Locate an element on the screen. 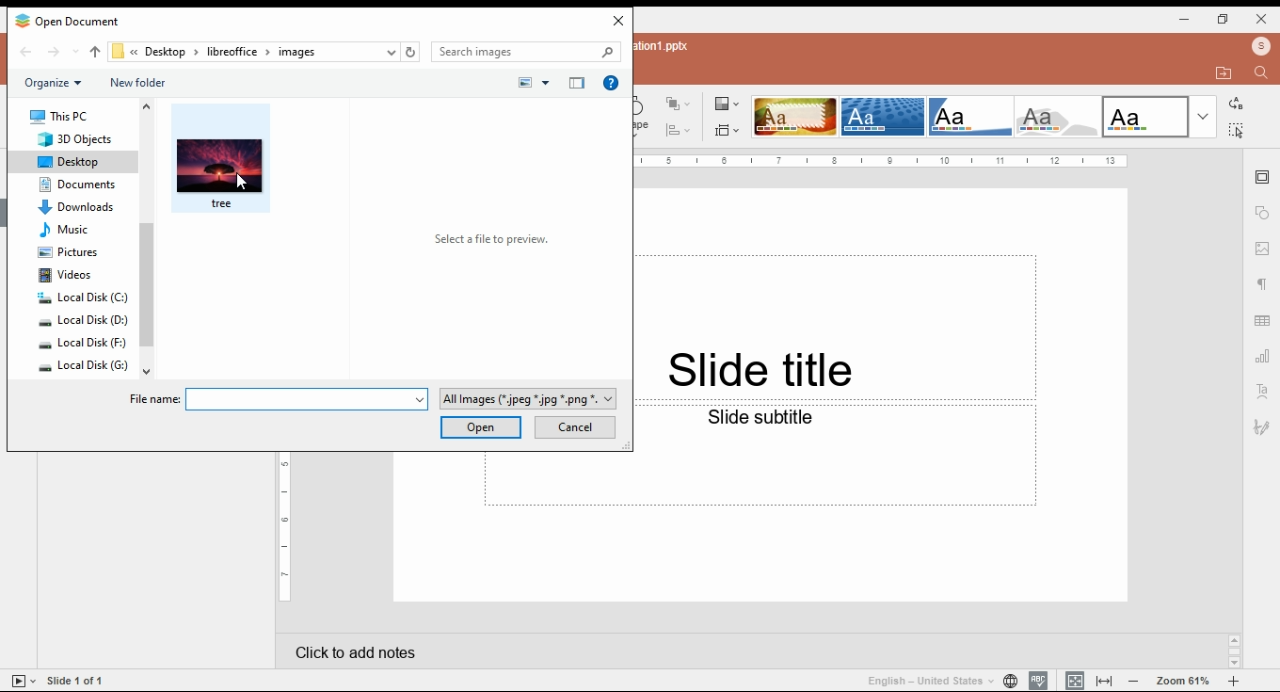 This screenshot has width=1280, height=692. charts  settings is located at coordinates (1263, 354).